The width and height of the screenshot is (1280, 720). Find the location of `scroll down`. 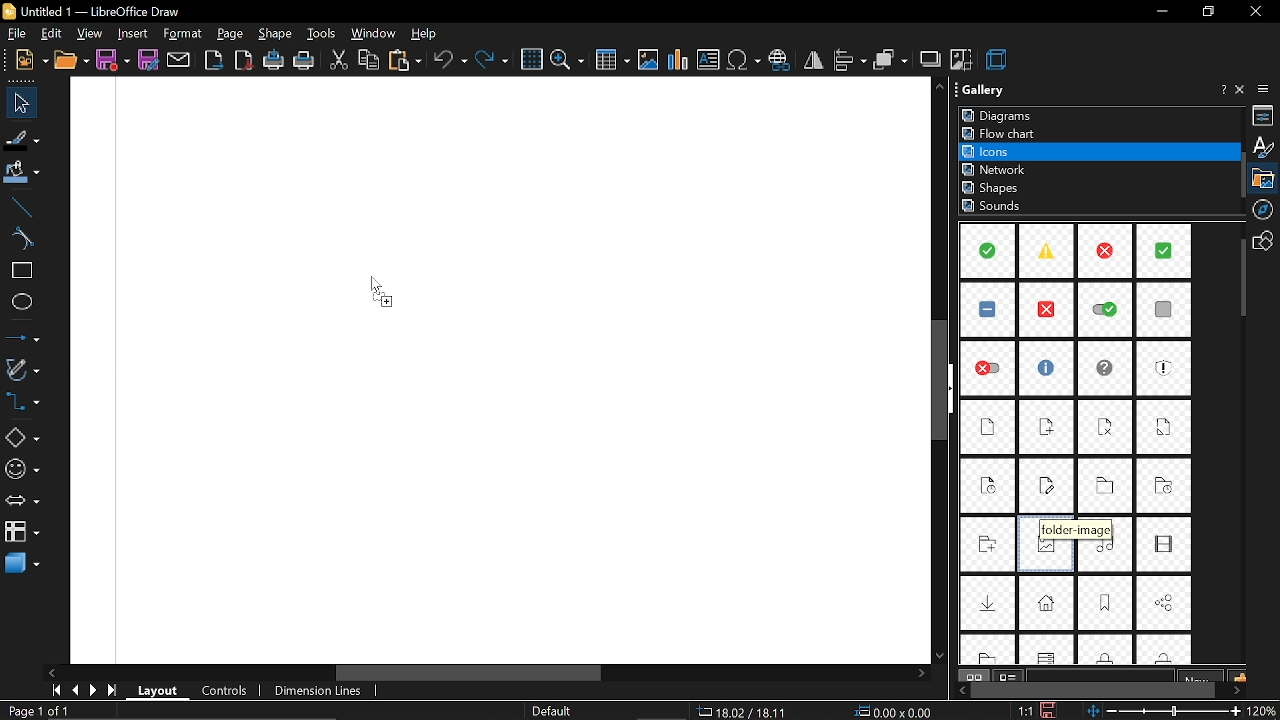

scroll down is located at coordinates (940, 653).